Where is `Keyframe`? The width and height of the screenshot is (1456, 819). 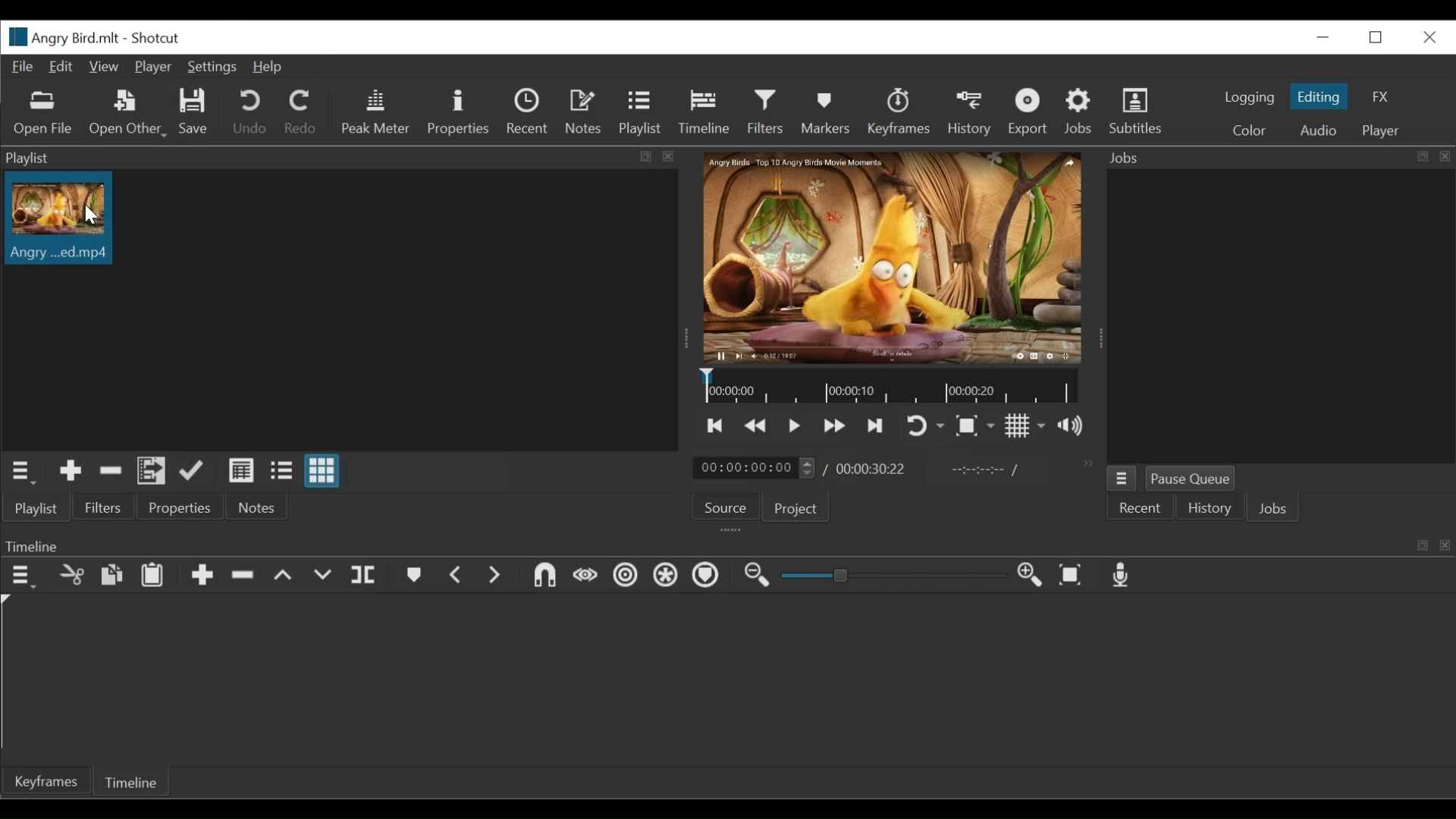 Keyframe is located at coordinates (42, 782).